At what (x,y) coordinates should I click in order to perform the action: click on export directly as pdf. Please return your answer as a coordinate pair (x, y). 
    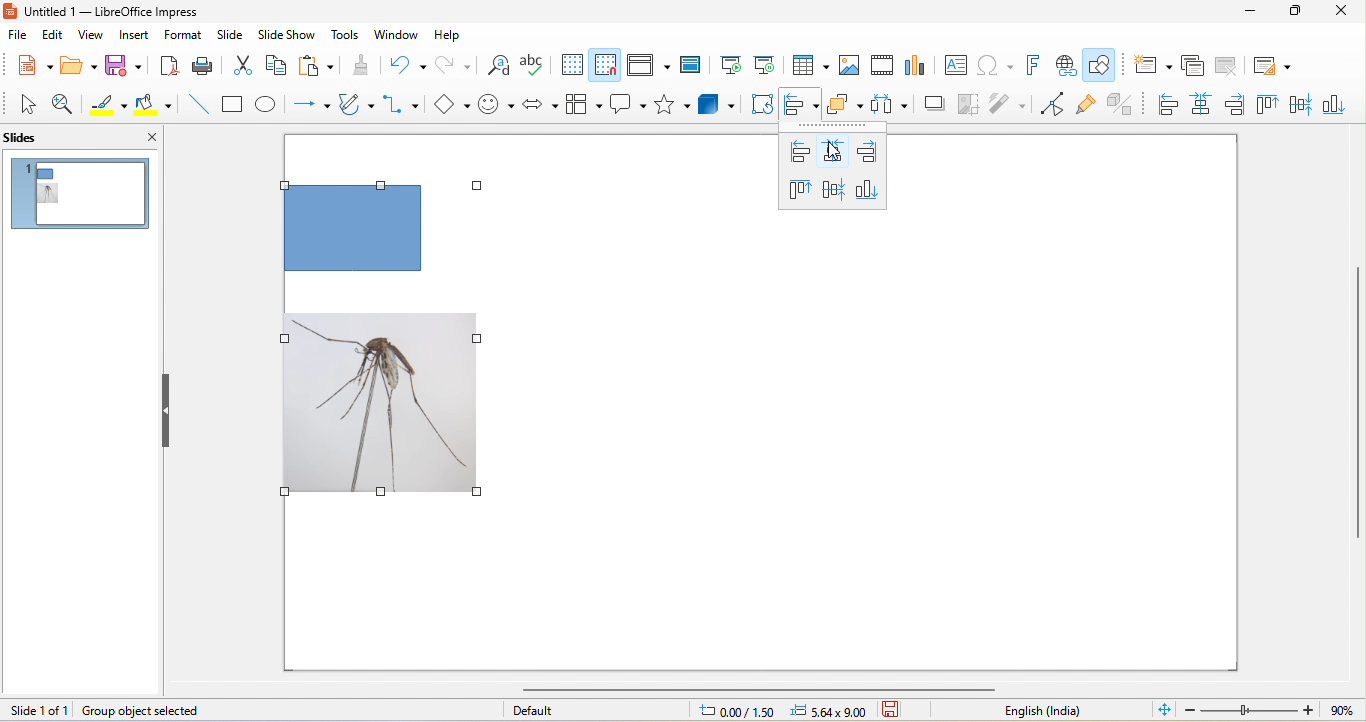
    Looking at the image, I should click on (170, 67).